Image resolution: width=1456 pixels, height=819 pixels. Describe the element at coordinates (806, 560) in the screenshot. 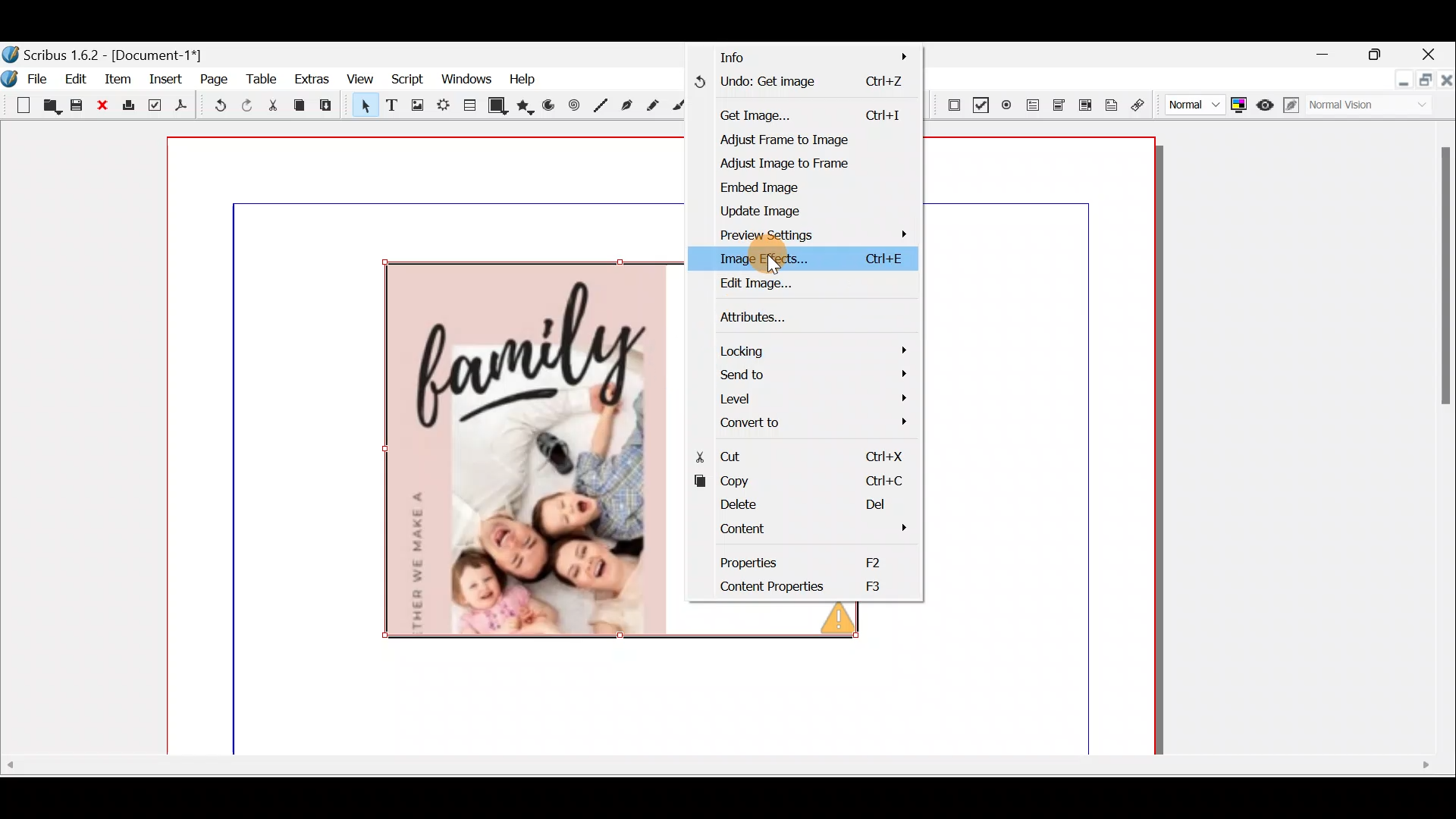

I see `Properties` at that location.